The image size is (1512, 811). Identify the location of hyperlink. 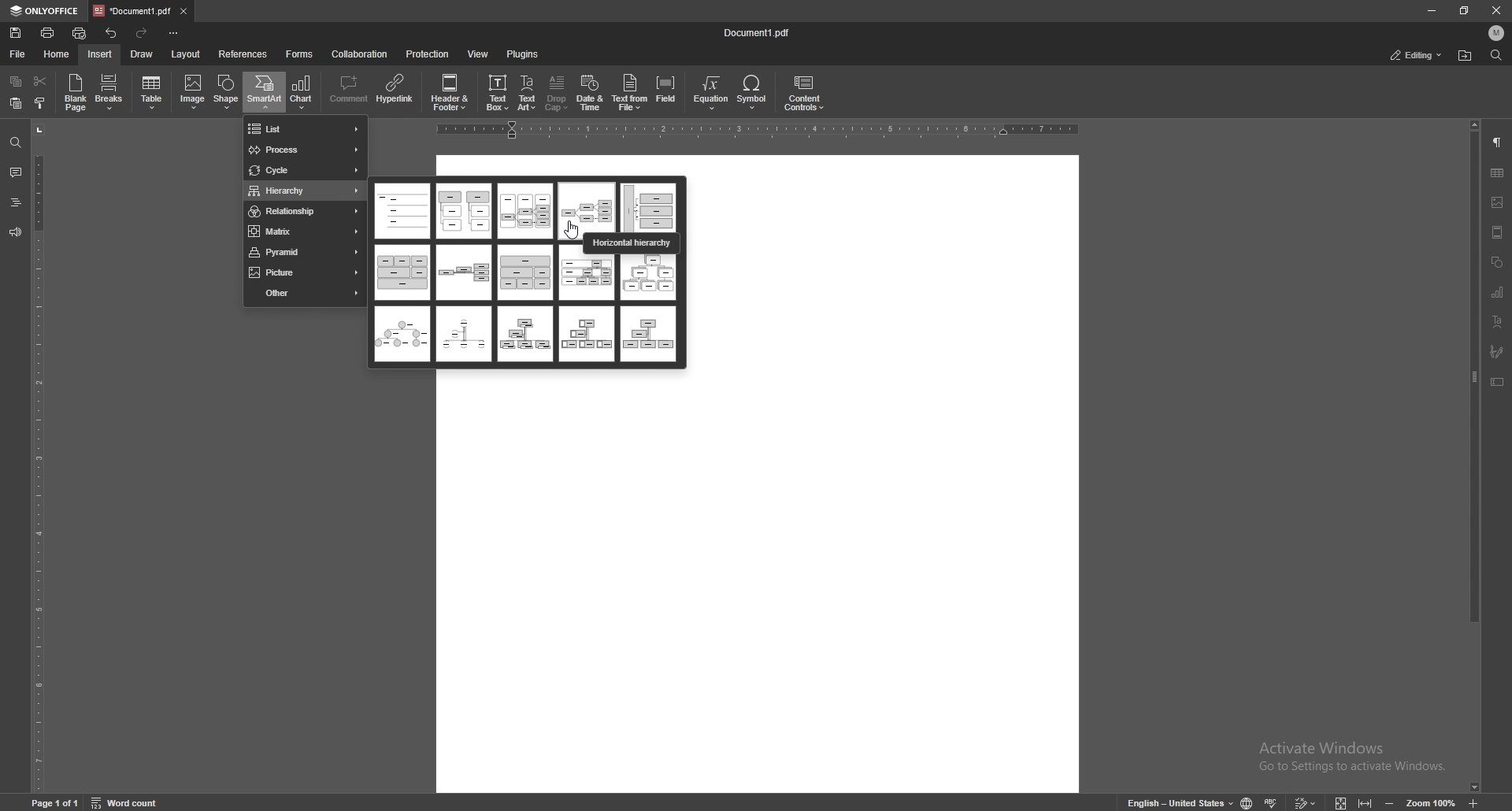
(395, 91).